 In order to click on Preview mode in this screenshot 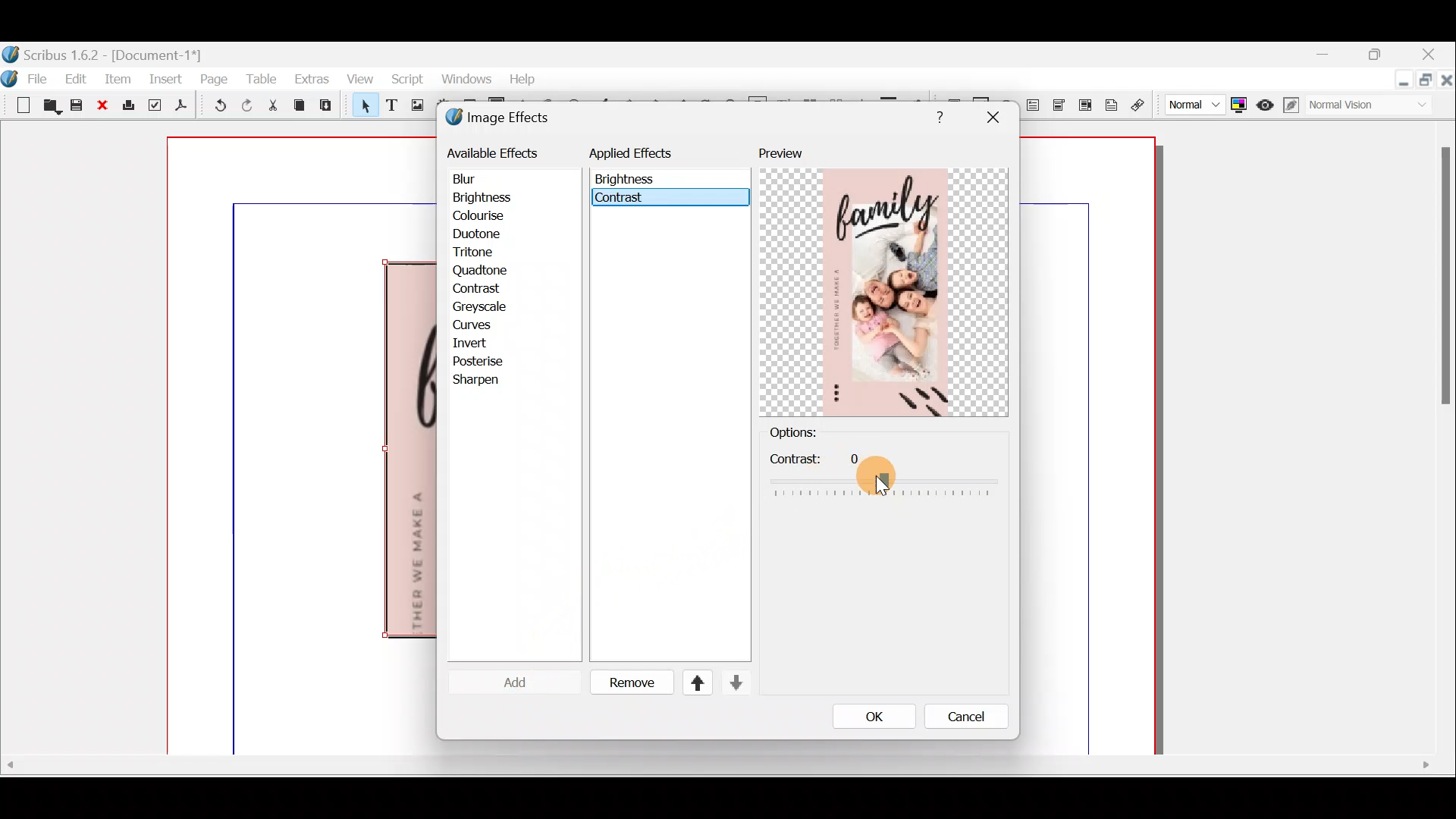, I will do `click(1266, 102)`.